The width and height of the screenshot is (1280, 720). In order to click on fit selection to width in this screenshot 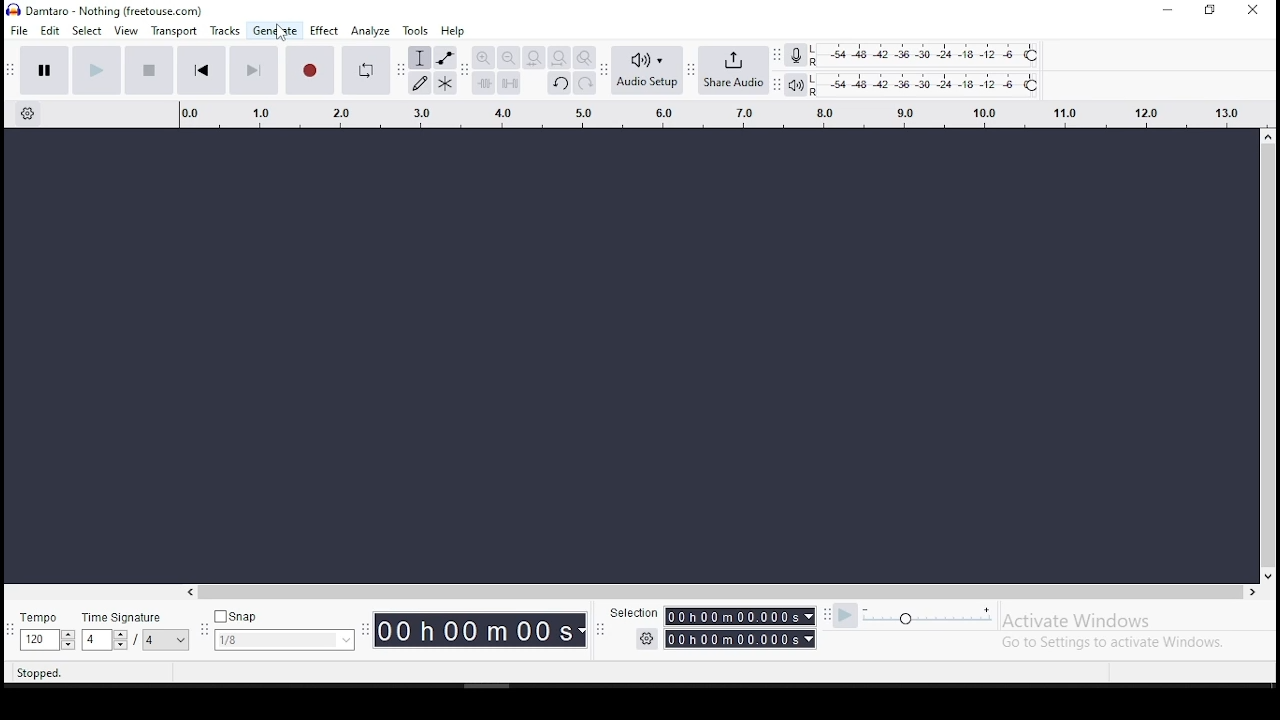, I will do `click(531, 57)`.